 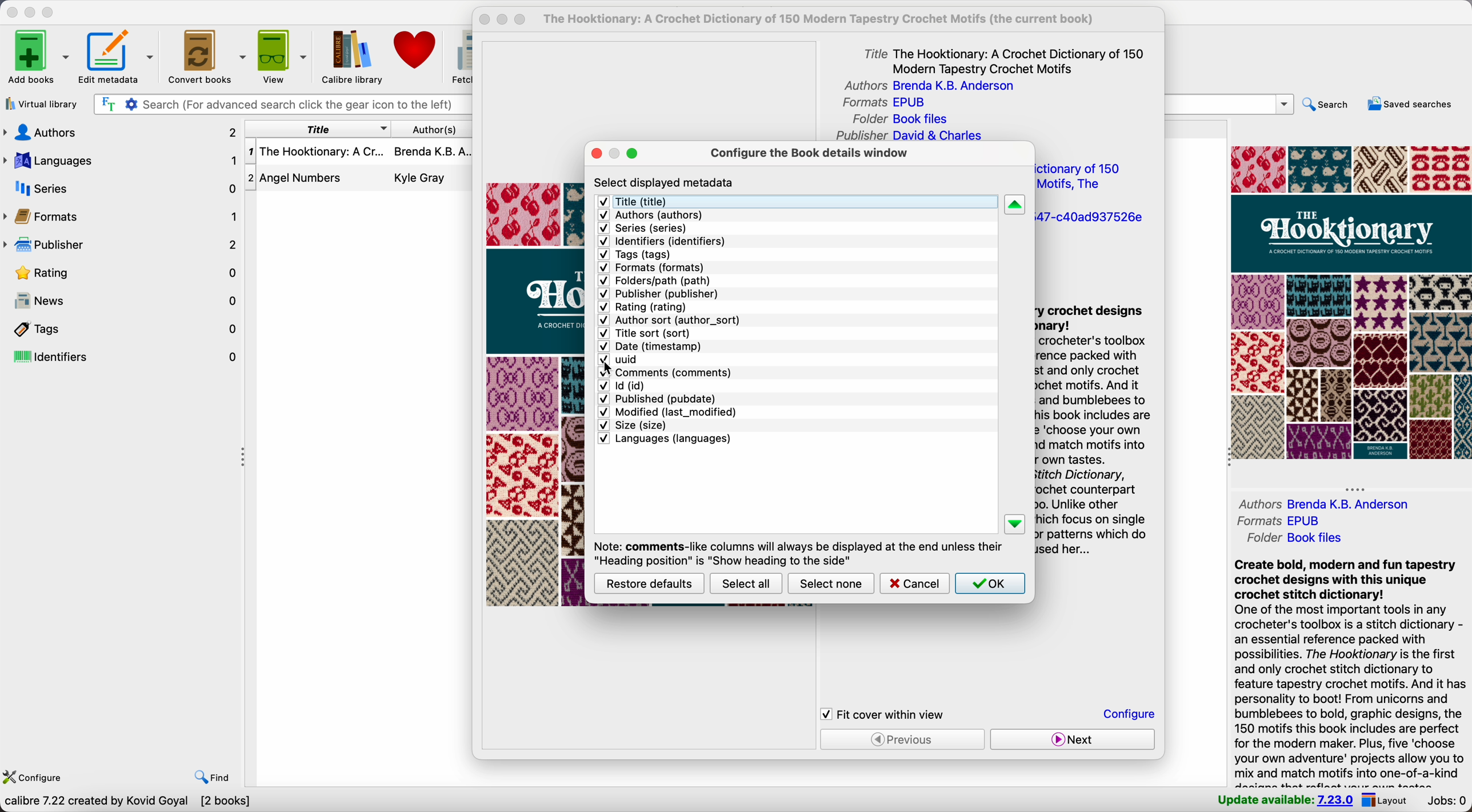 I want to click on saved searches, so click(x=1413, y=105).